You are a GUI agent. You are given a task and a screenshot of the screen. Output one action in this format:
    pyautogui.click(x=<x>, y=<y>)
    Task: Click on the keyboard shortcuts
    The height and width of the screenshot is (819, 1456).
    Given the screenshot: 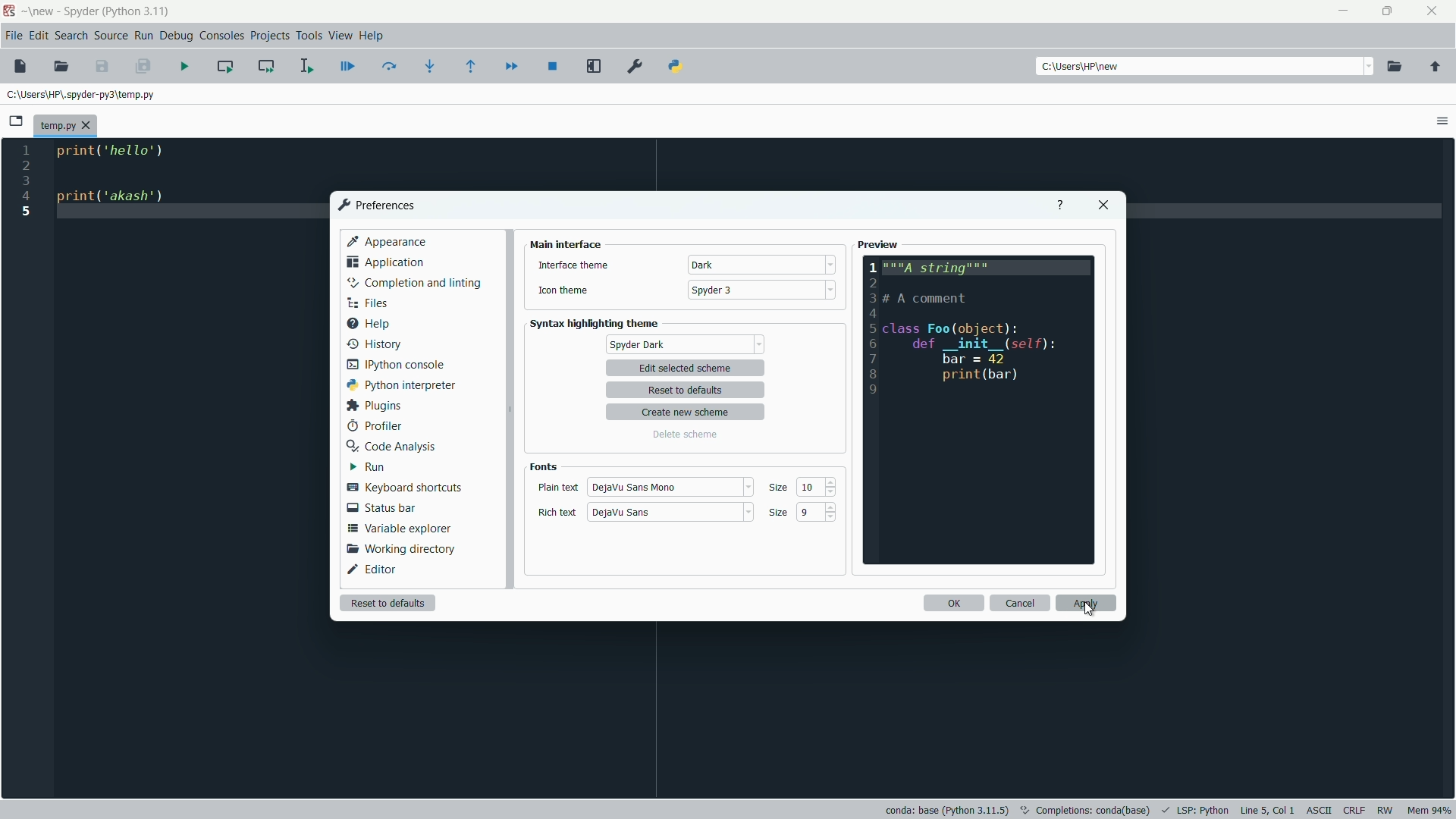 What is the action you would take?
    pyautogui.click(x=403, y=488)
    